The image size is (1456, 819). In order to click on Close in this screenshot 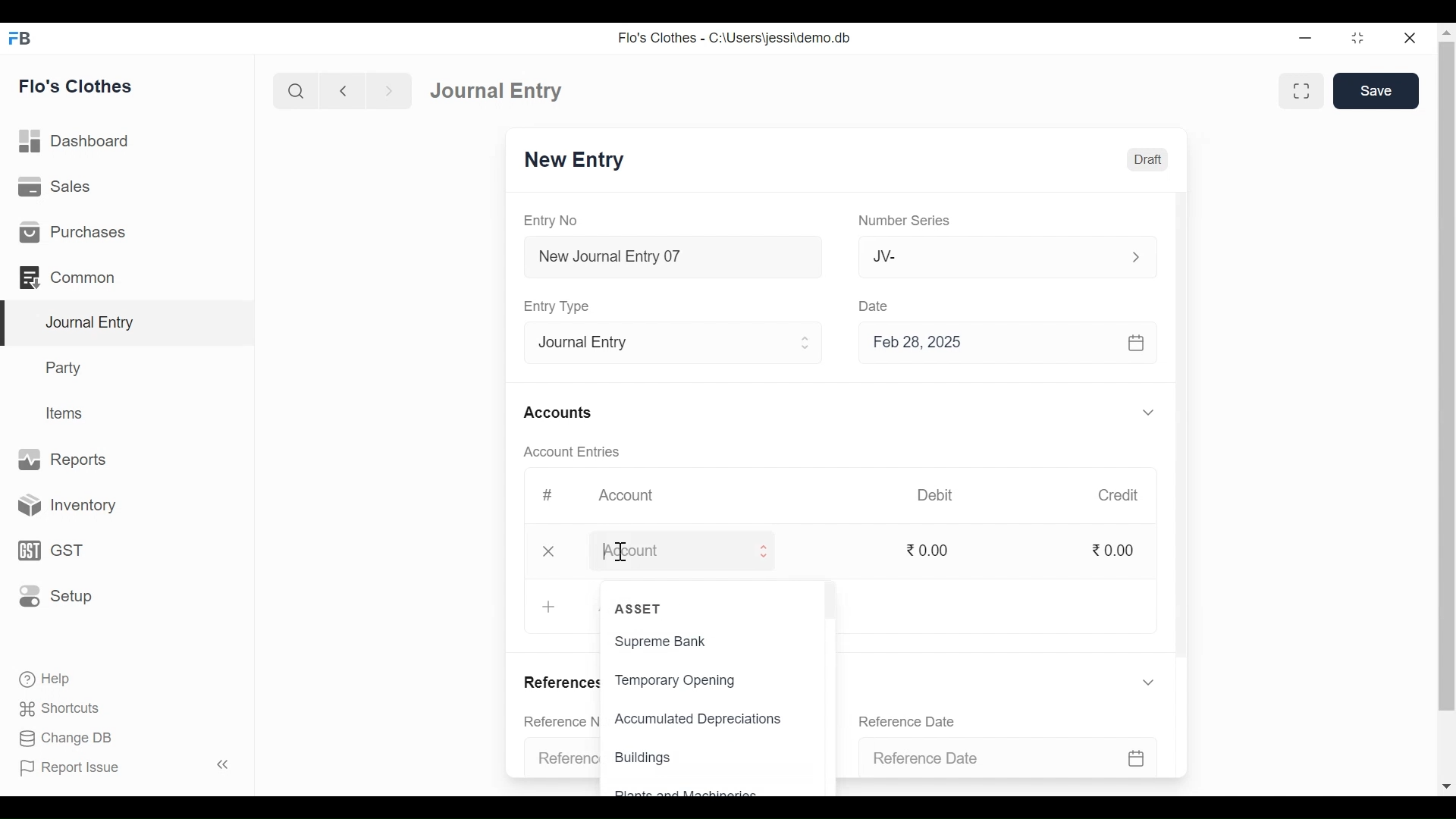, I will do `click(552, 553)`.